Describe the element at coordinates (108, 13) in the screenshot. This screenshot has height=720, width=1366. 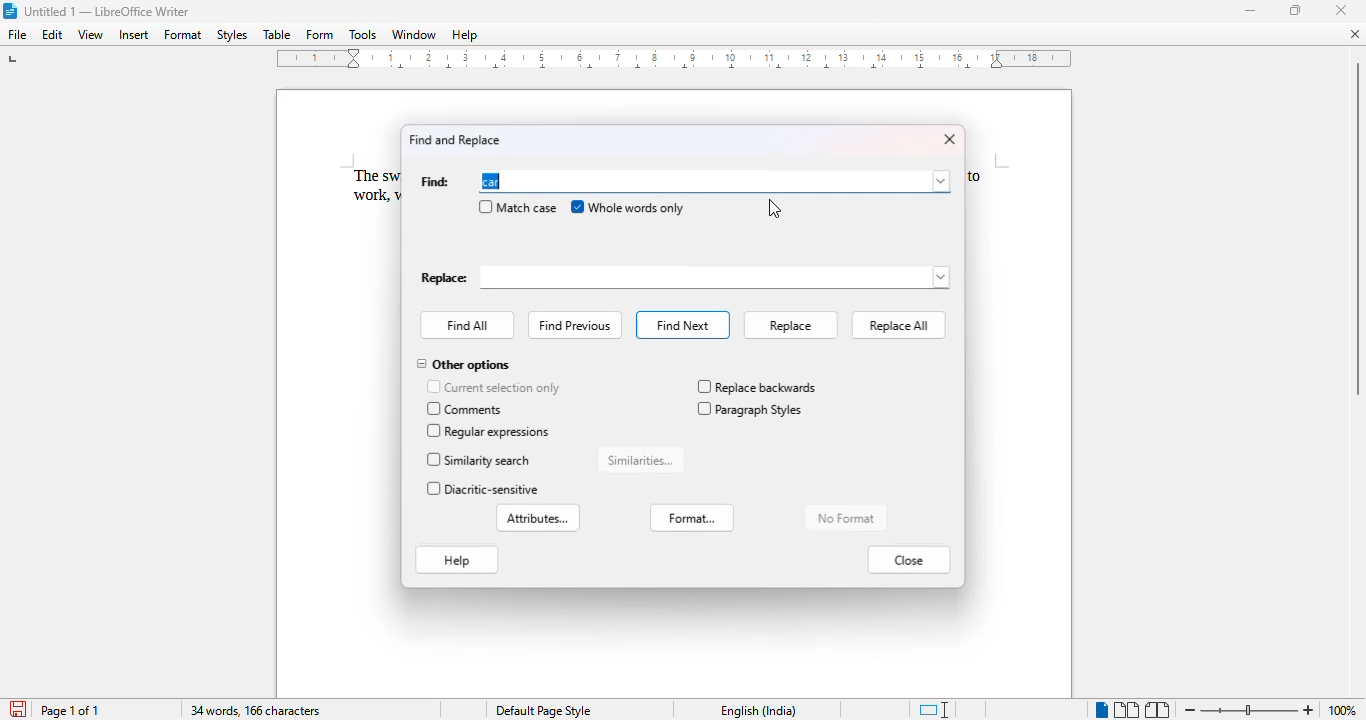
I see `Untitled 1 -- LibreOffice Writer` at that location.